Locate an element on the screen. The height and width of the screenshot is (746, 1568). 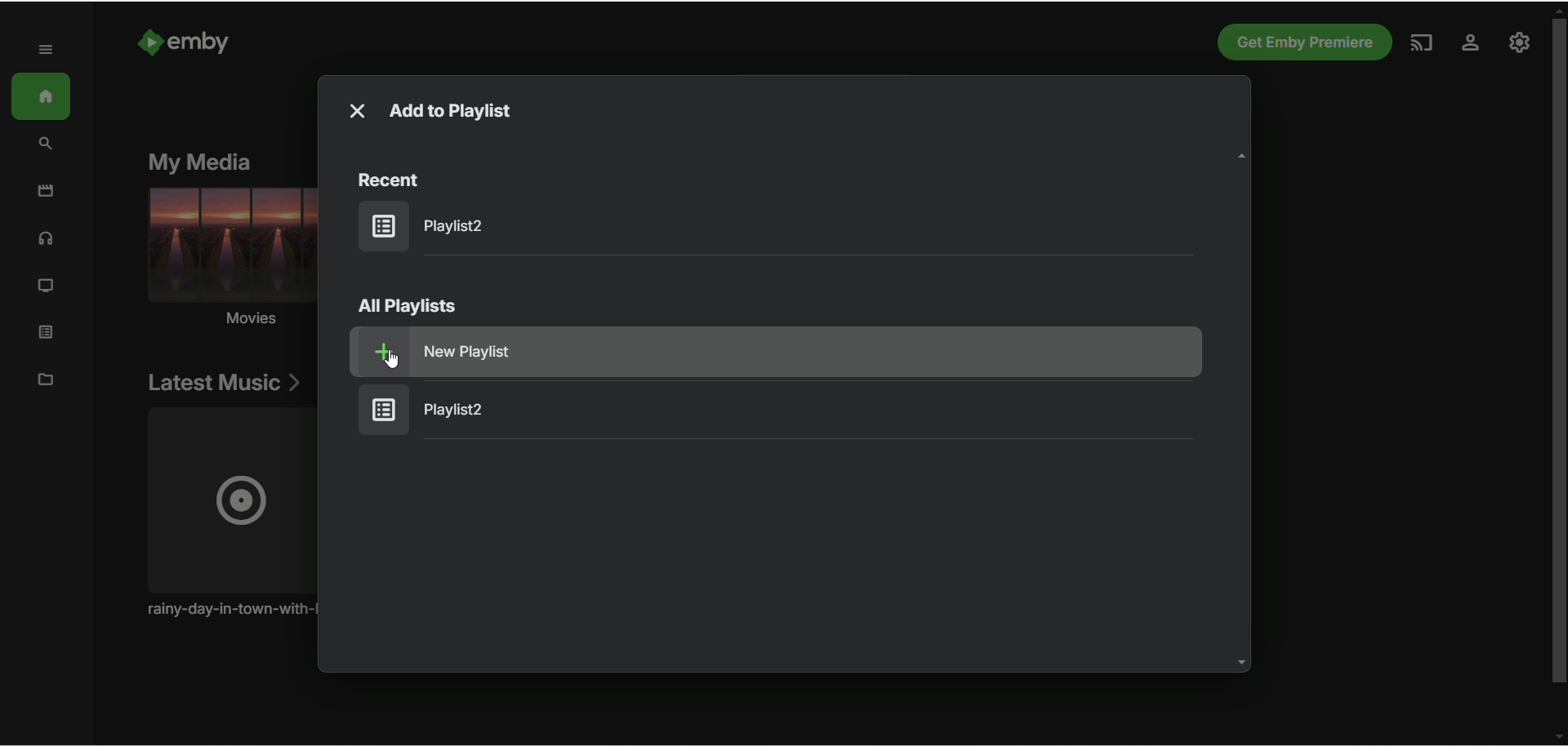
movies is located at coordinates (46, 191).